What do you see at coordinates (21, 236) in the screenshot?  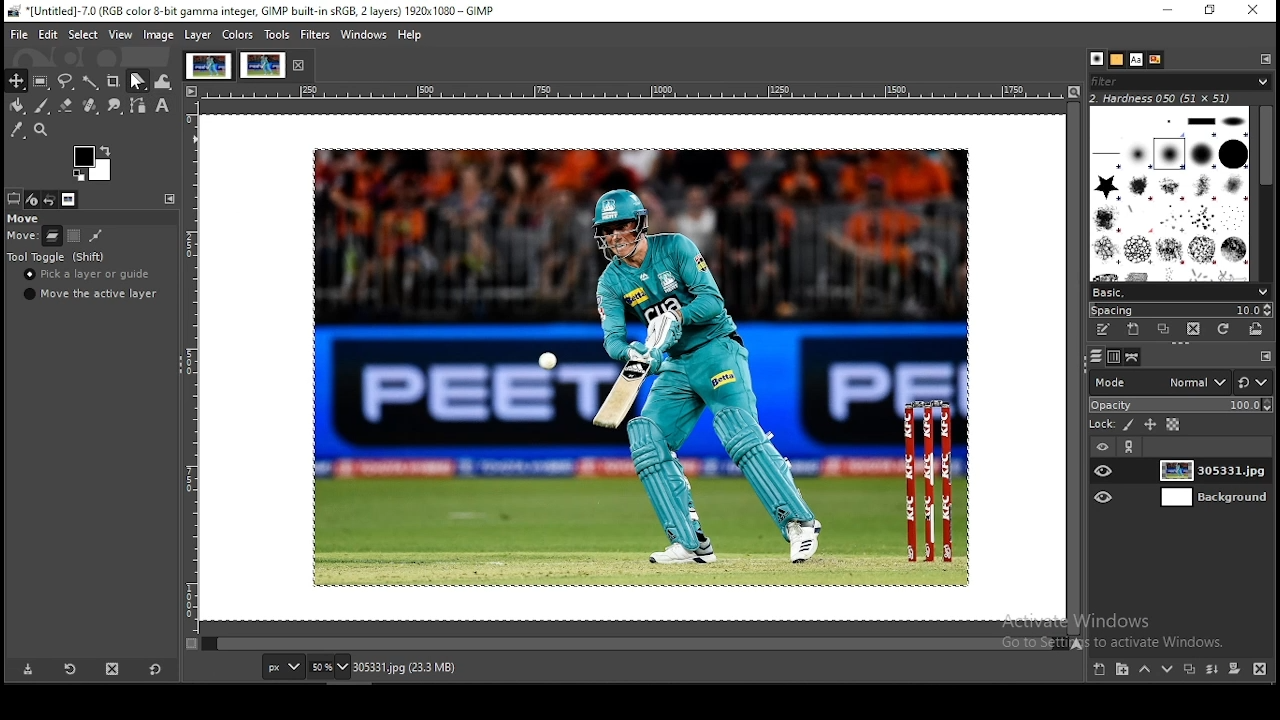 I see `move` at bounding box center [21, 236].